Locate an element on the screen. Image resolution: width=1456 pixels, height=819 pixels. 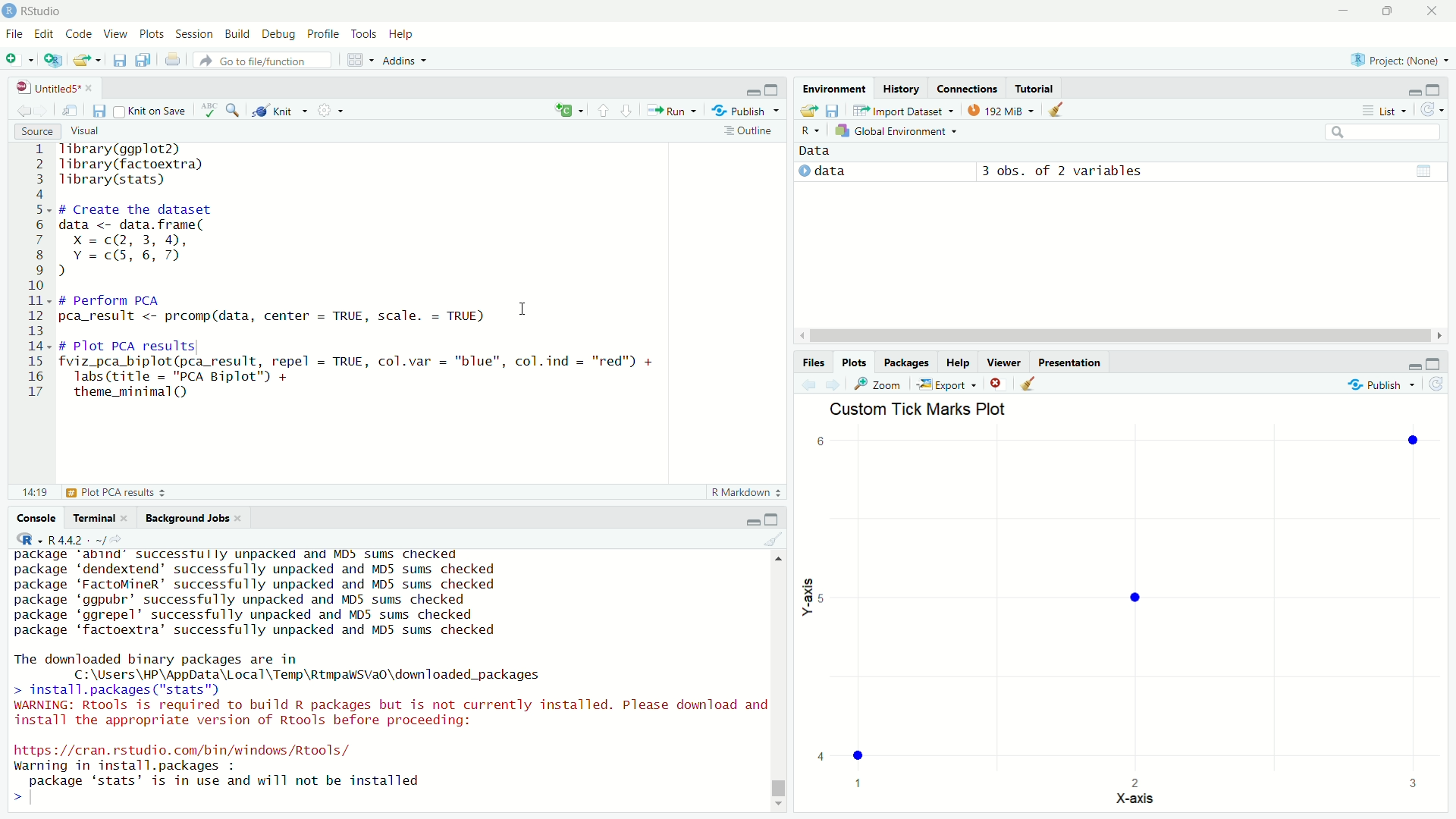
refresh is located at coordinates (1438, 384).